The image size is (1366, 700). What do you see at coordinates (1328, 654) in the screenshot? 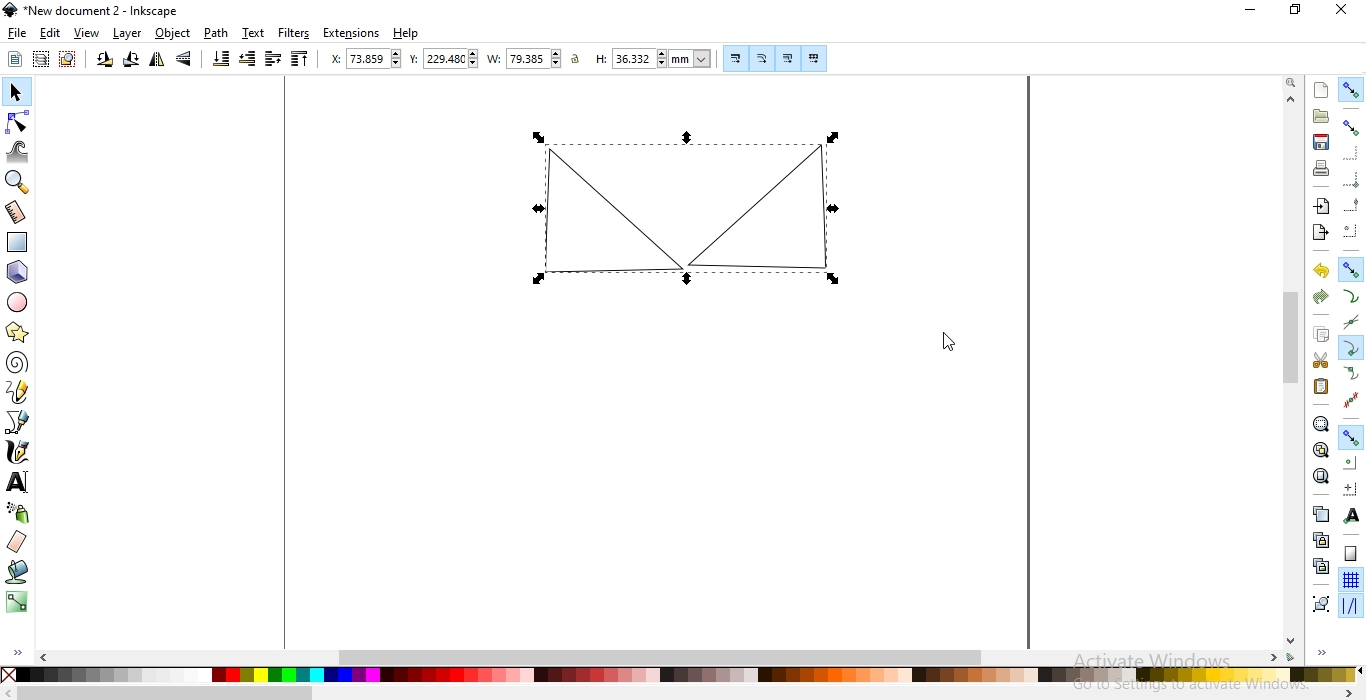
I see `expand/hide sidebar` at bounding box center [1328, 654].